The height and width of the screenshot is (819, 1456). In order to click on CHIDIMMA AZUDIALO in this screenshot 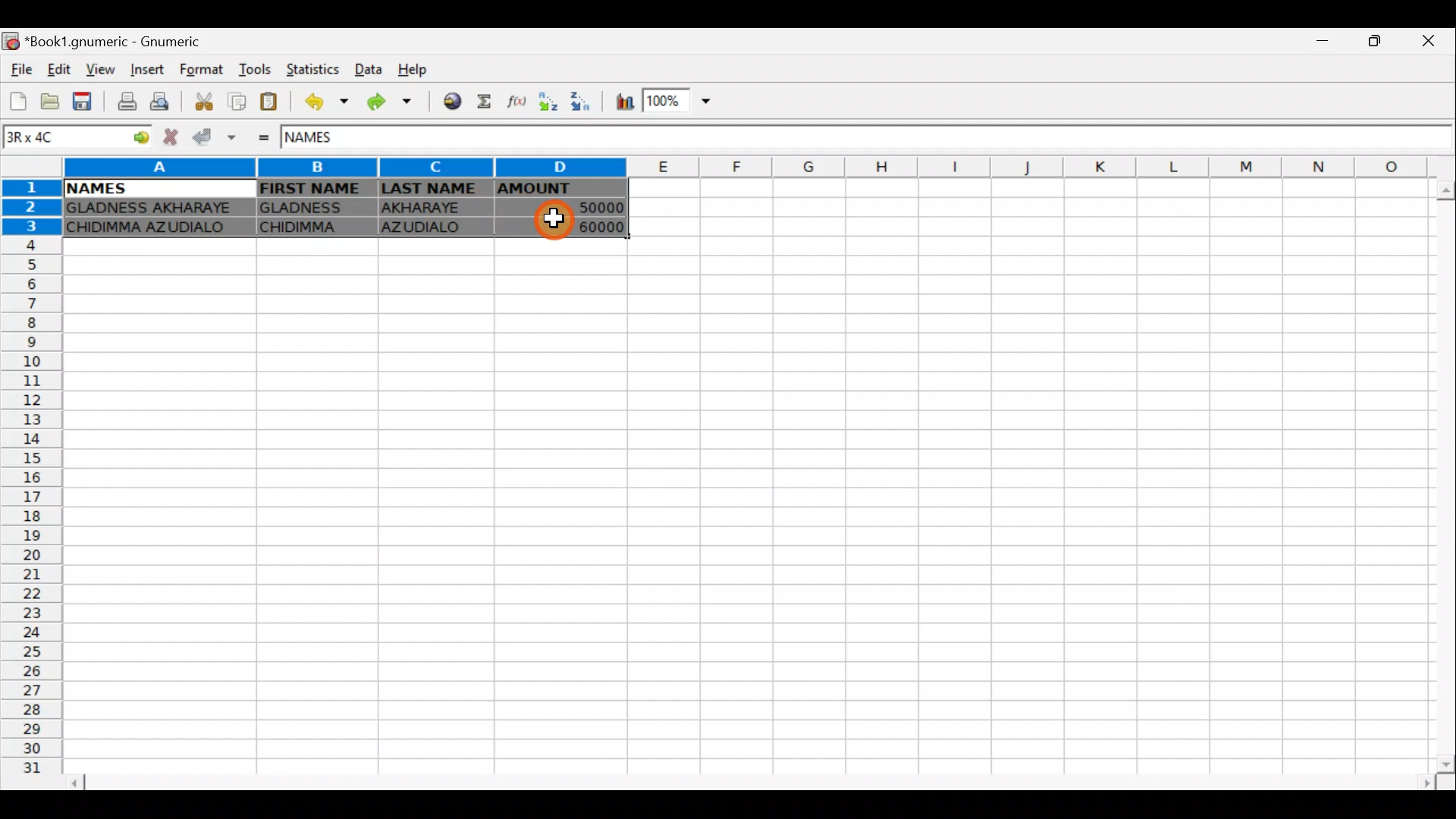, I will do `click(153, 229)`.